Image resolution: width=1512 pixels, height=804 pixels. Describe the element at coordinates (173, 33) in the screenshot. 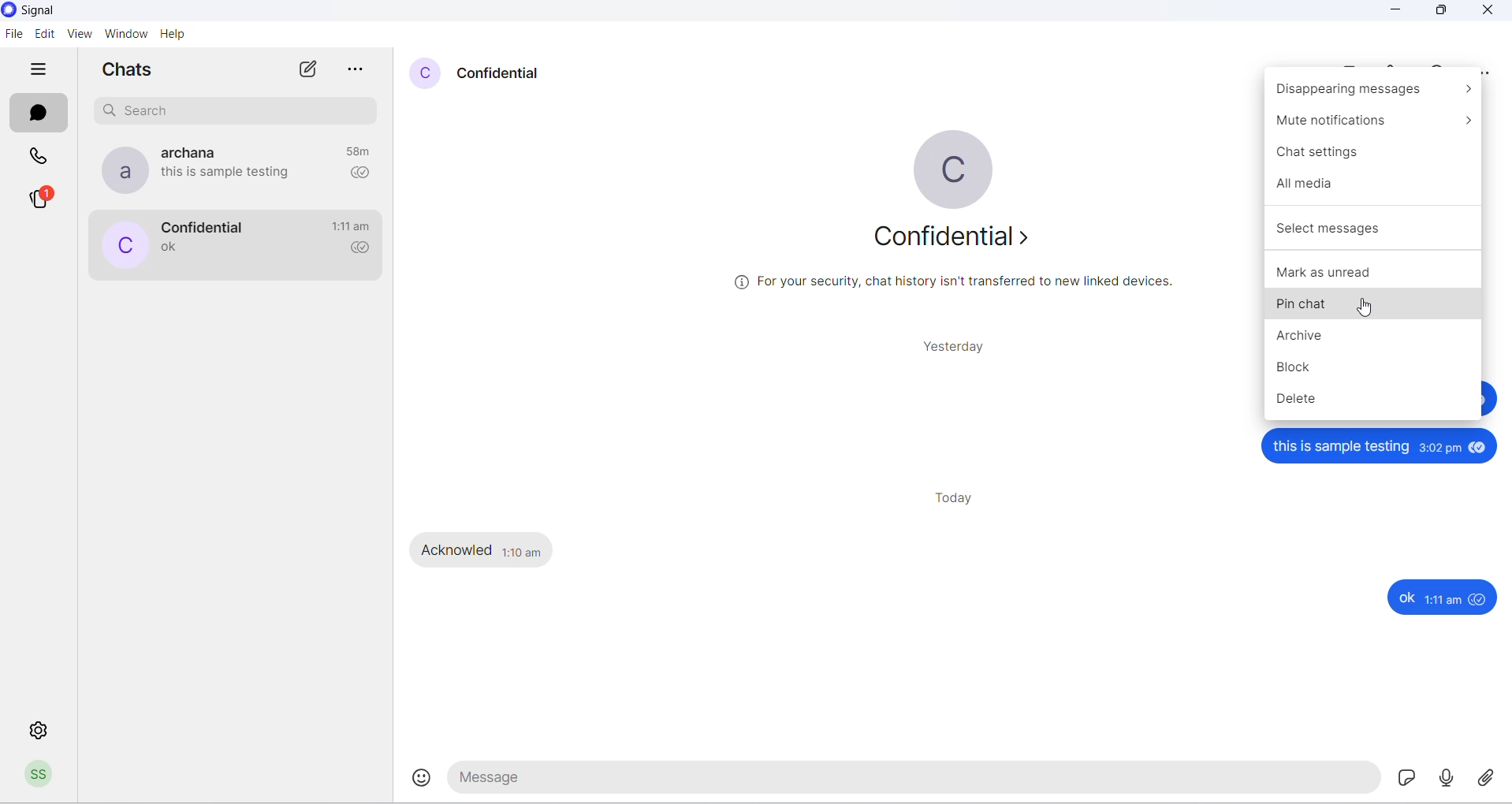

I see `help` at that location.